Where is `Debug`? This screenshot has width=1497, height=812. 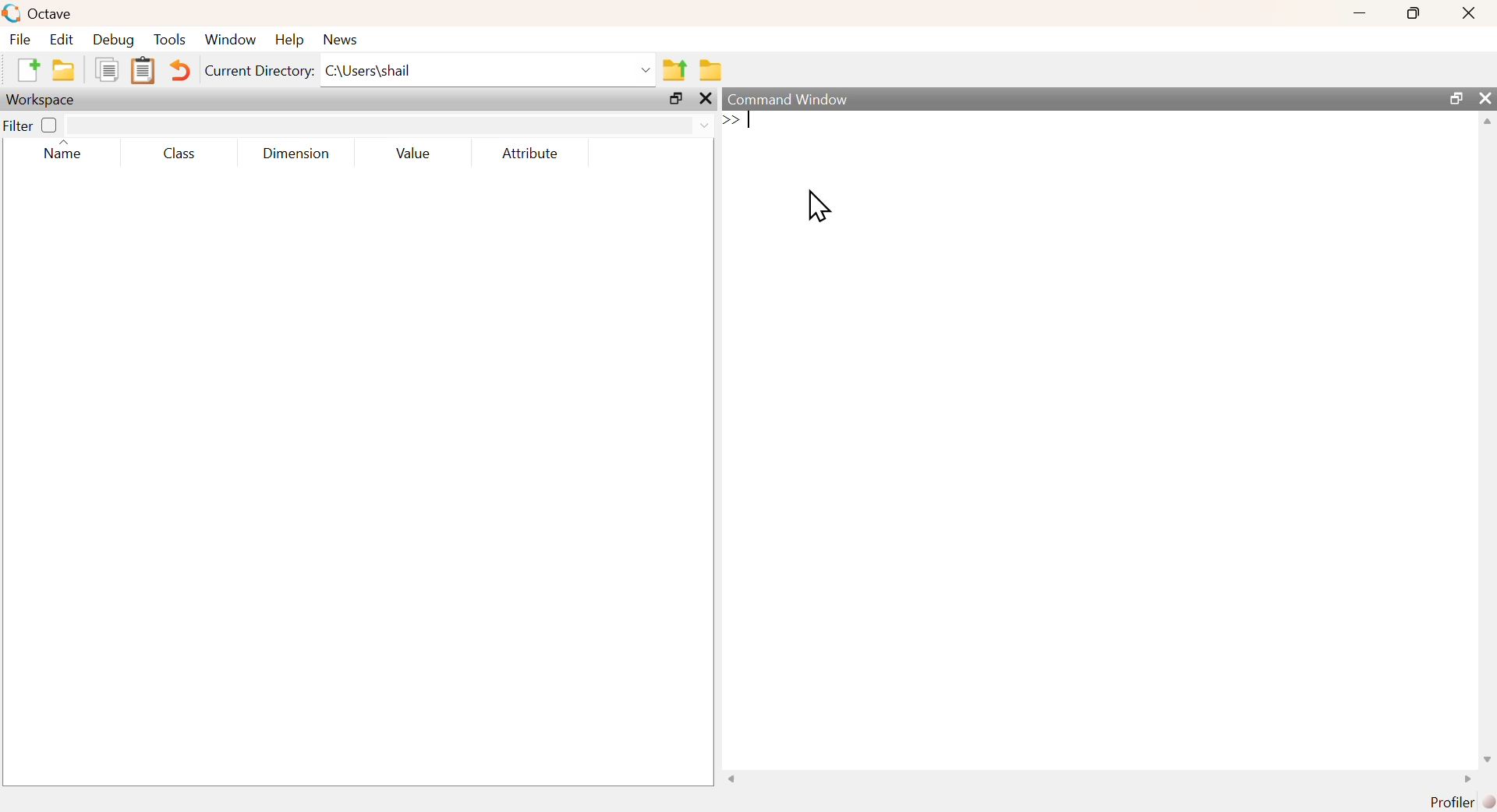
Debug is located at coordinates (113, 40).